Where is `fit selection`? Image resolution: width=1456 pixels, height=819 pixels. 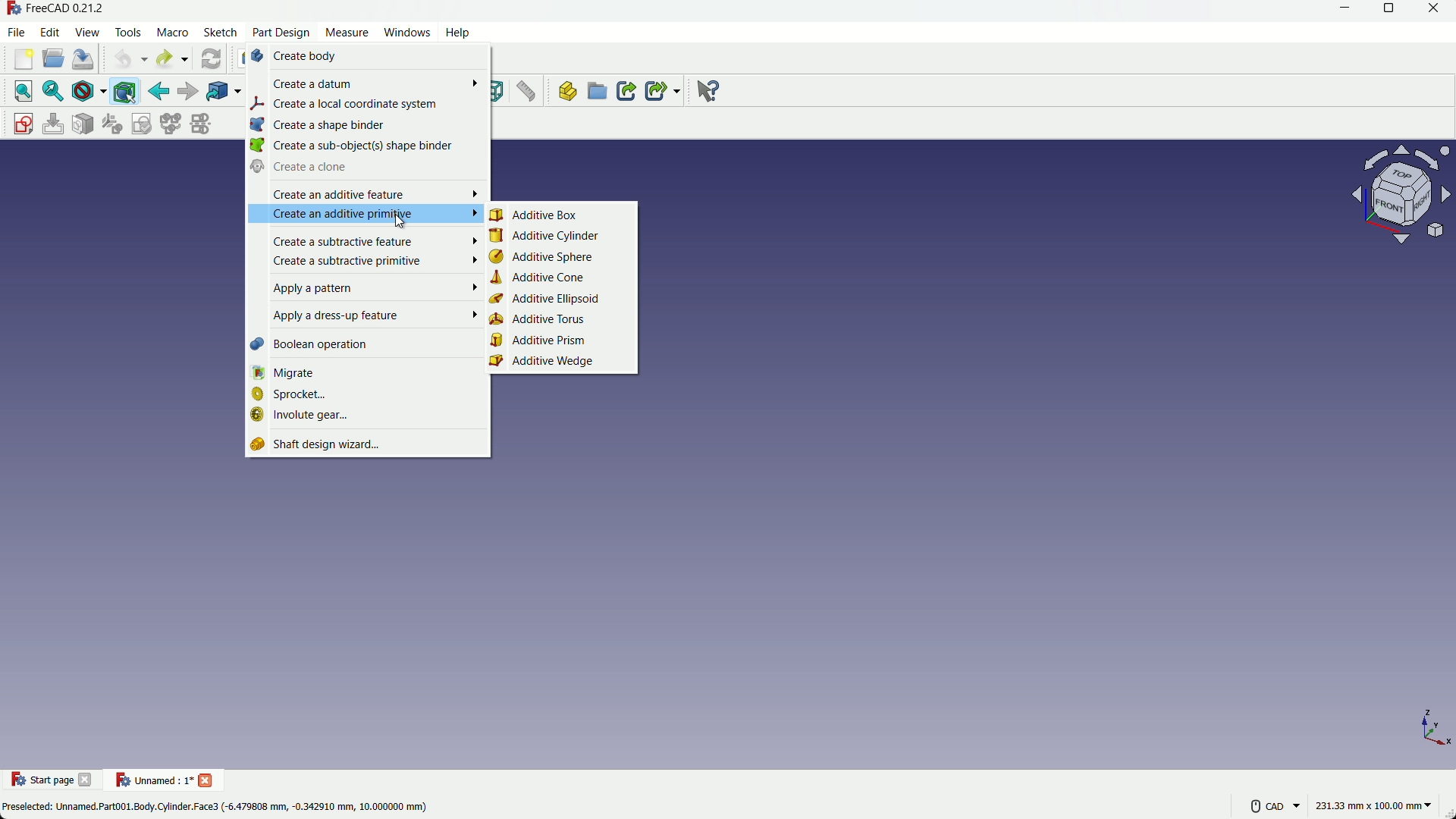 fit selection is located at coordinates (55, 93).